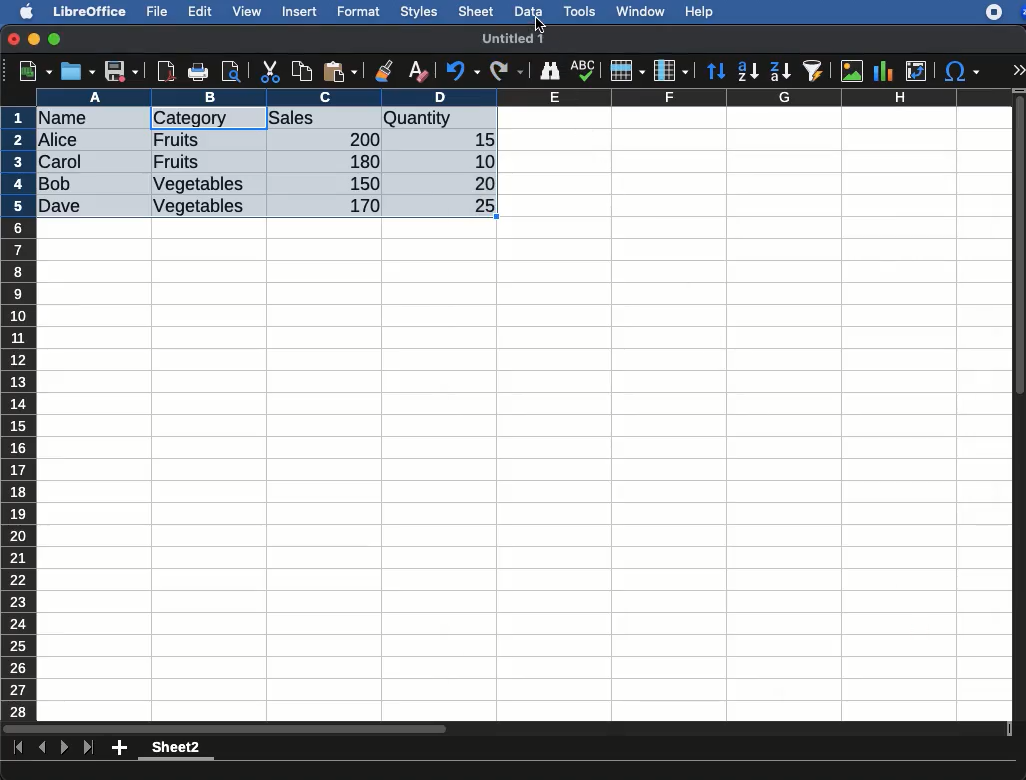  What do you see at coordinates (21, 10) in the screenshot?
I see `apple` at bounding box center [21, 10].